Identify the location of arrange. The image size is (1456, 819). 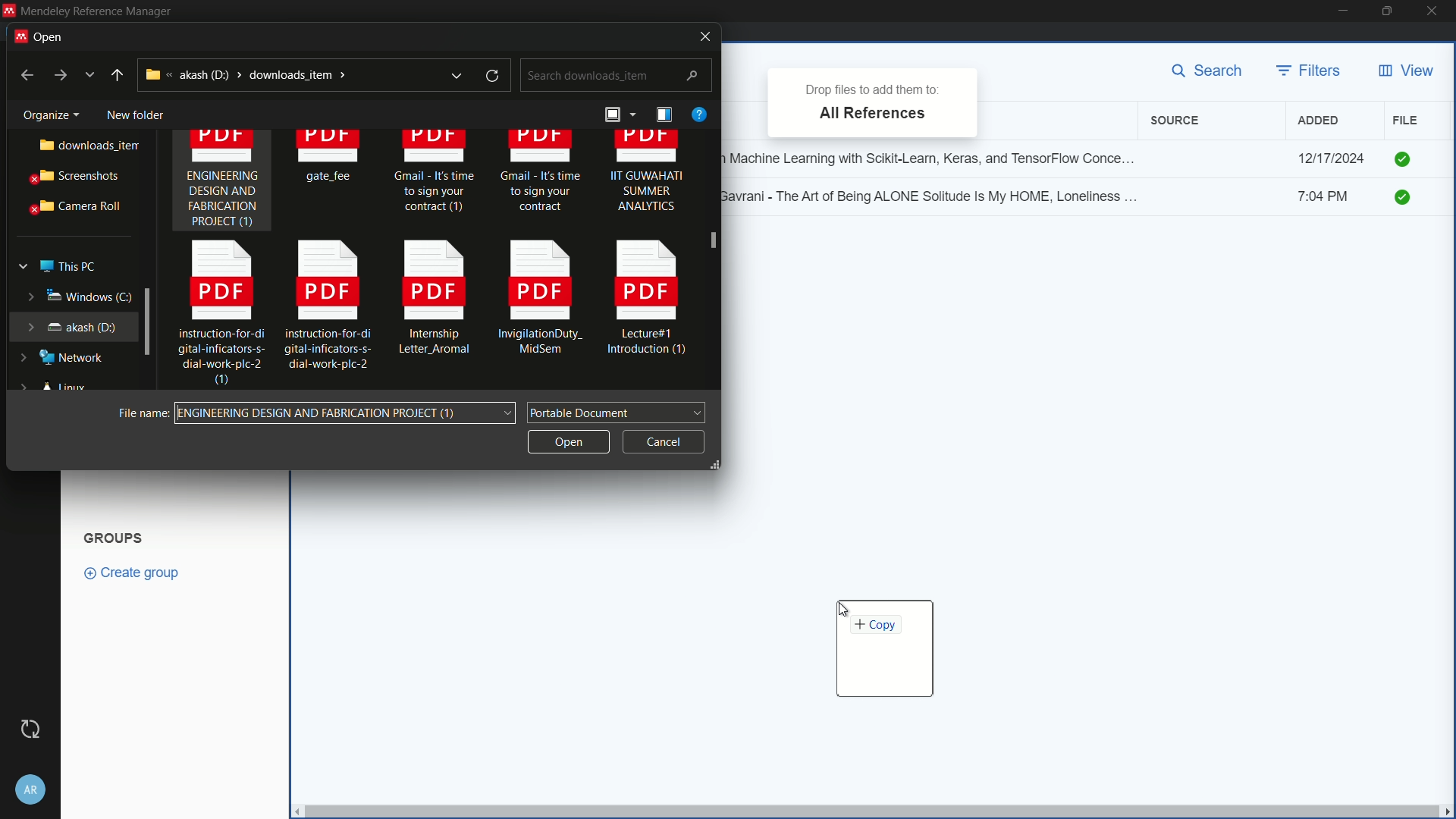
(617, 117).